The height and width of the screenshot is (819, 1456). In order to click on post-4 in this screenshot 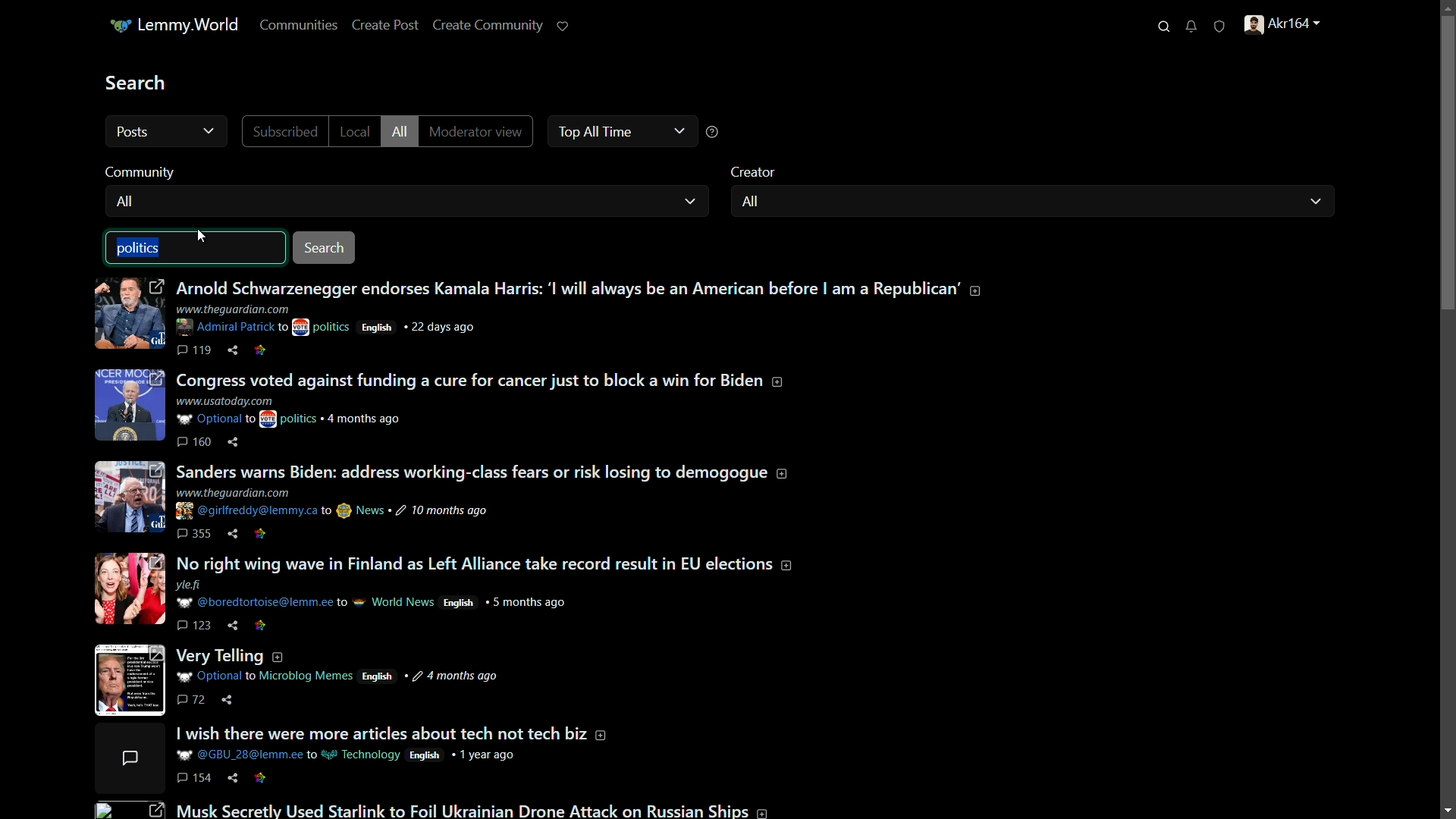, I will do `click(444, 588)`.